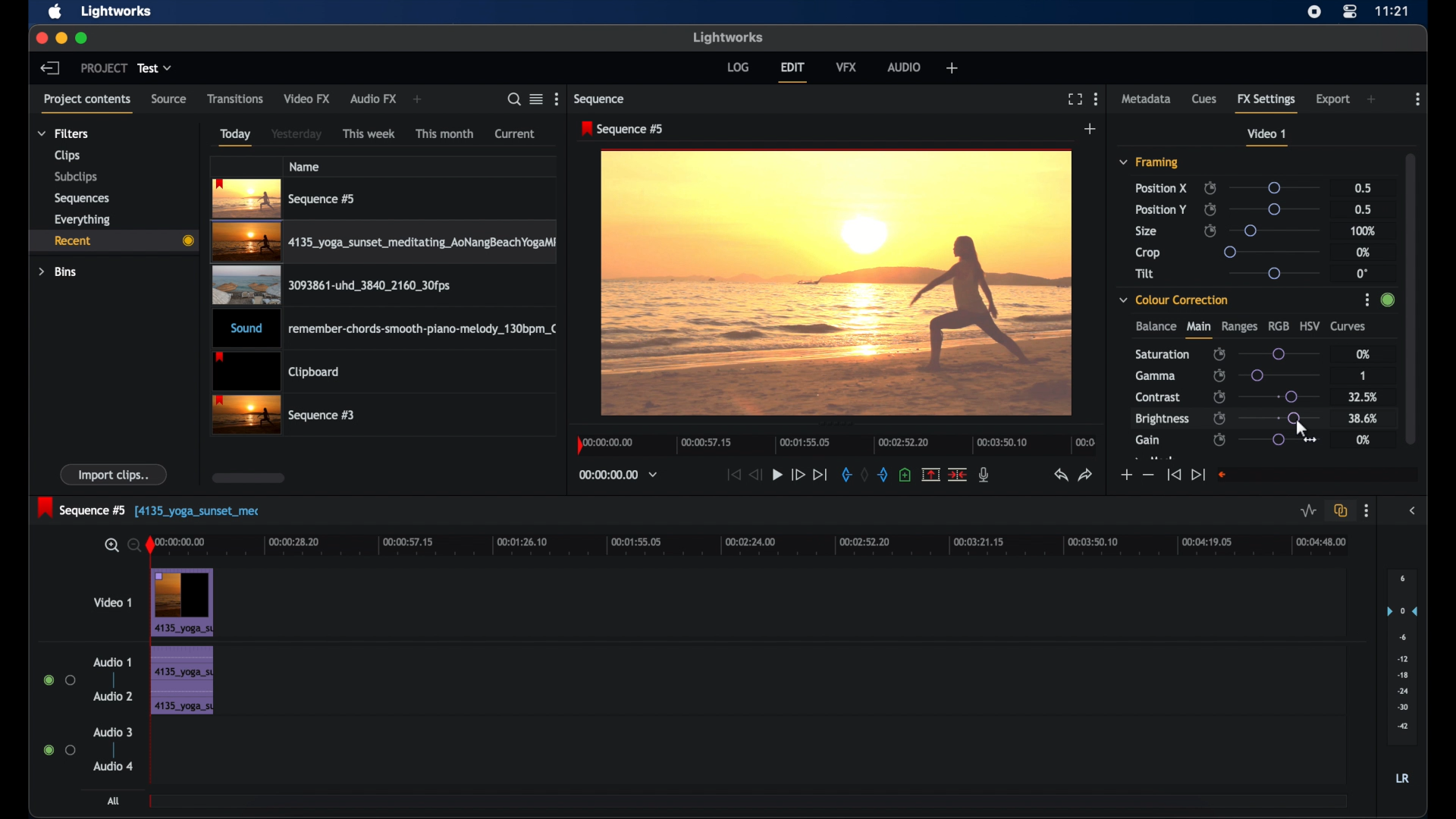 The image size is (1456, 819). I want to click on toggle auto track sync, so click(1341, 511).